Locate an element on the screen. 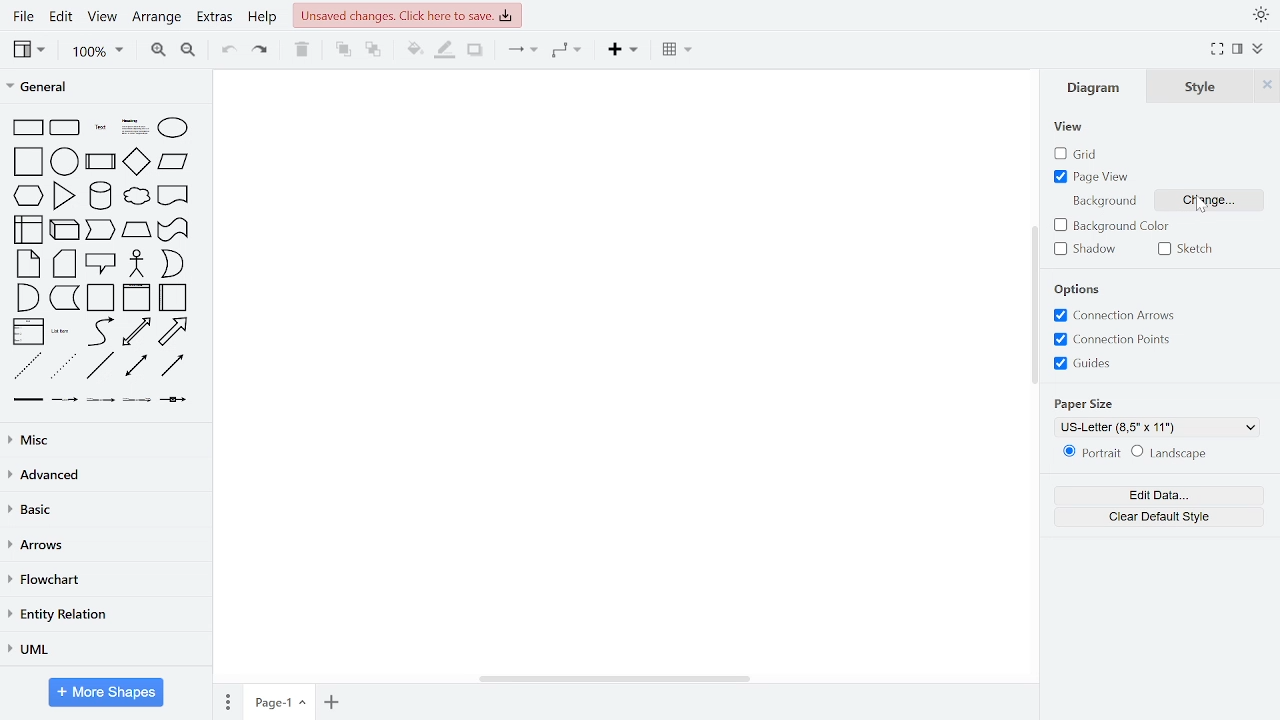 This screenshot has width=1280, height=720. grid is located at coordinates (1084, 154).